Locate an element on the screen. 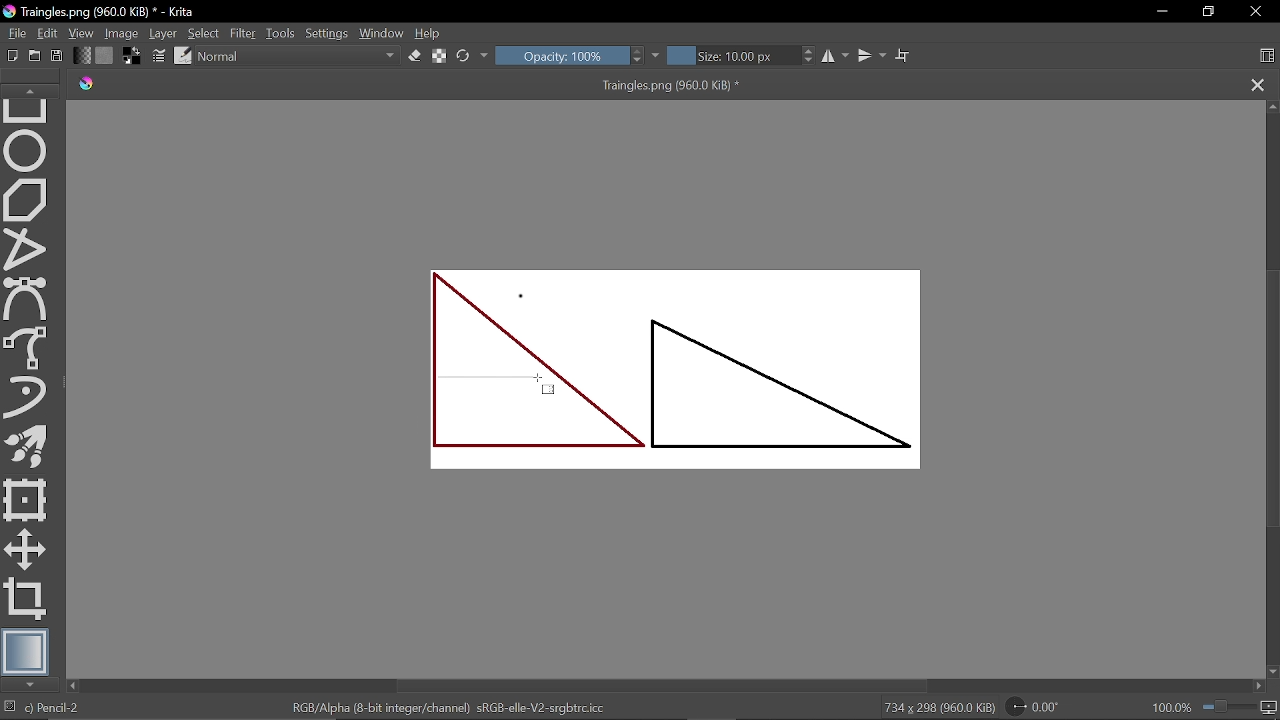 The image size is (1280, 720). Window is located at coordinates (382, 33).